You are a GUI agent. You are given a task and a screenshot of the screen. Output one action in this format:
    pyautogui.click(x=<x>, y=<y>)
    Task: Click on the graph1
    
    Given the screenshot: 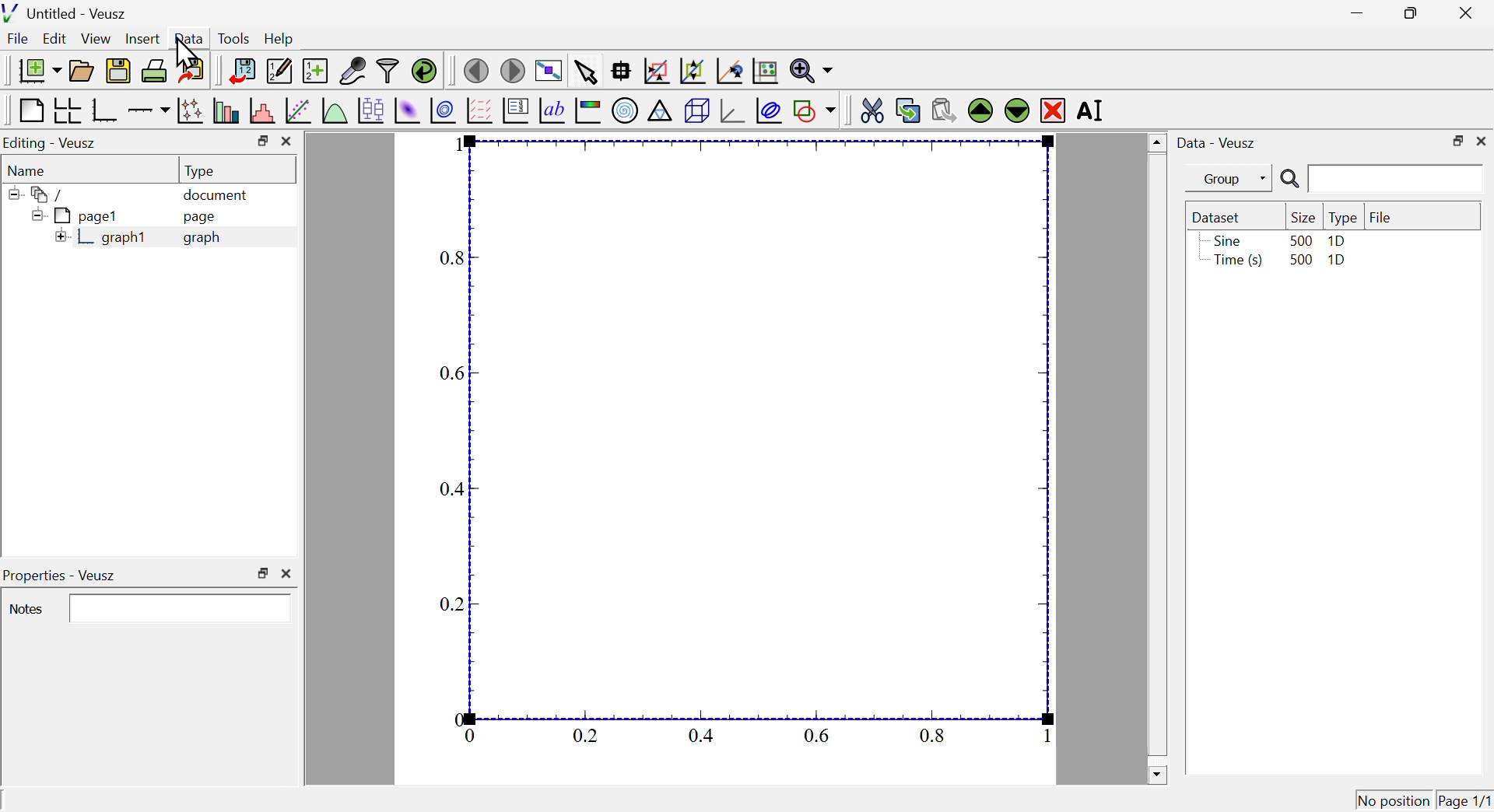 What is the action you would take?
    pyautogui.click(x=103, y=238)
    